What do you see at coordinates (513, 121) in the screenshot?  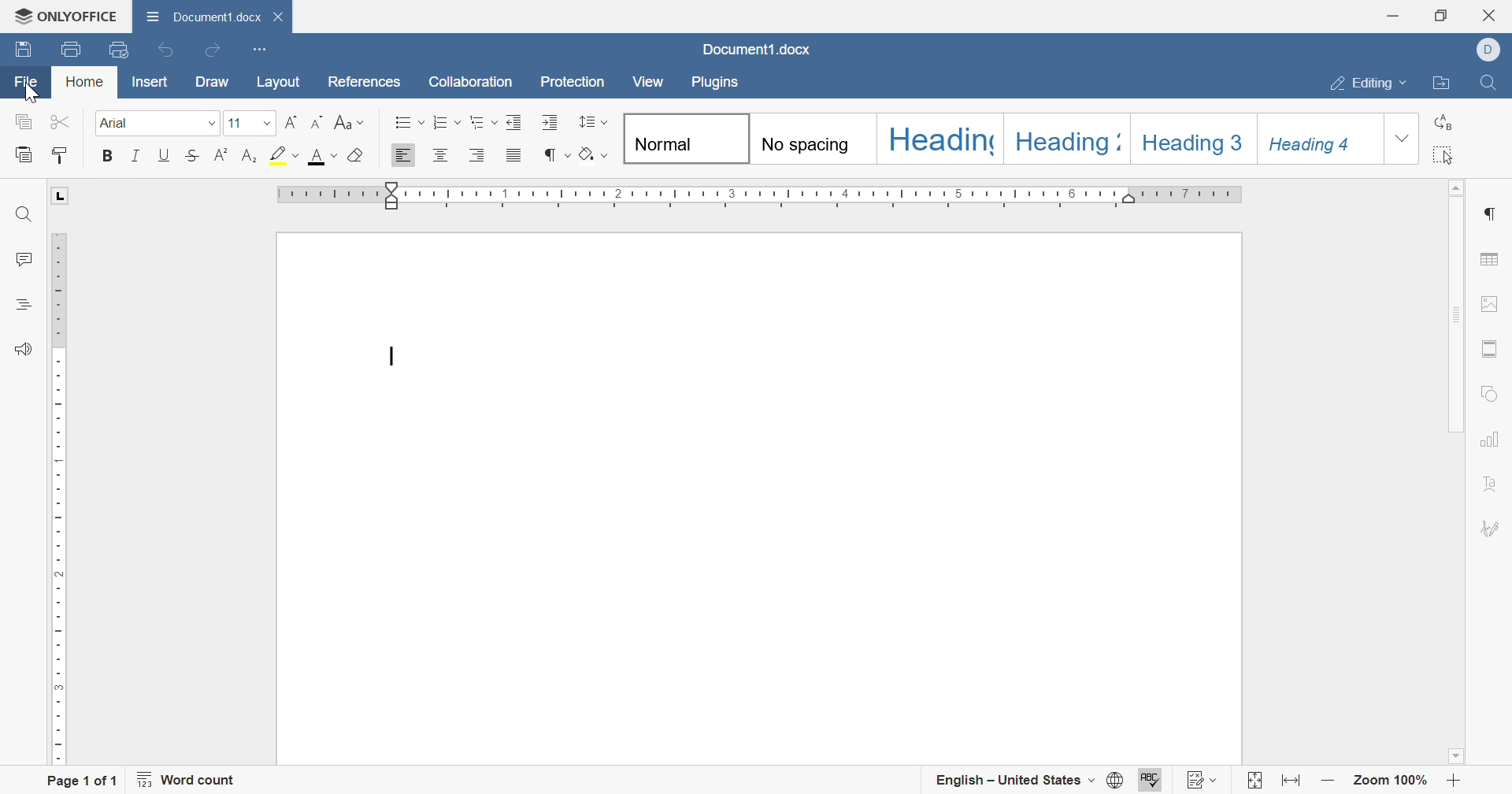 I see `decrease indent` at bounding box center [513, 121].